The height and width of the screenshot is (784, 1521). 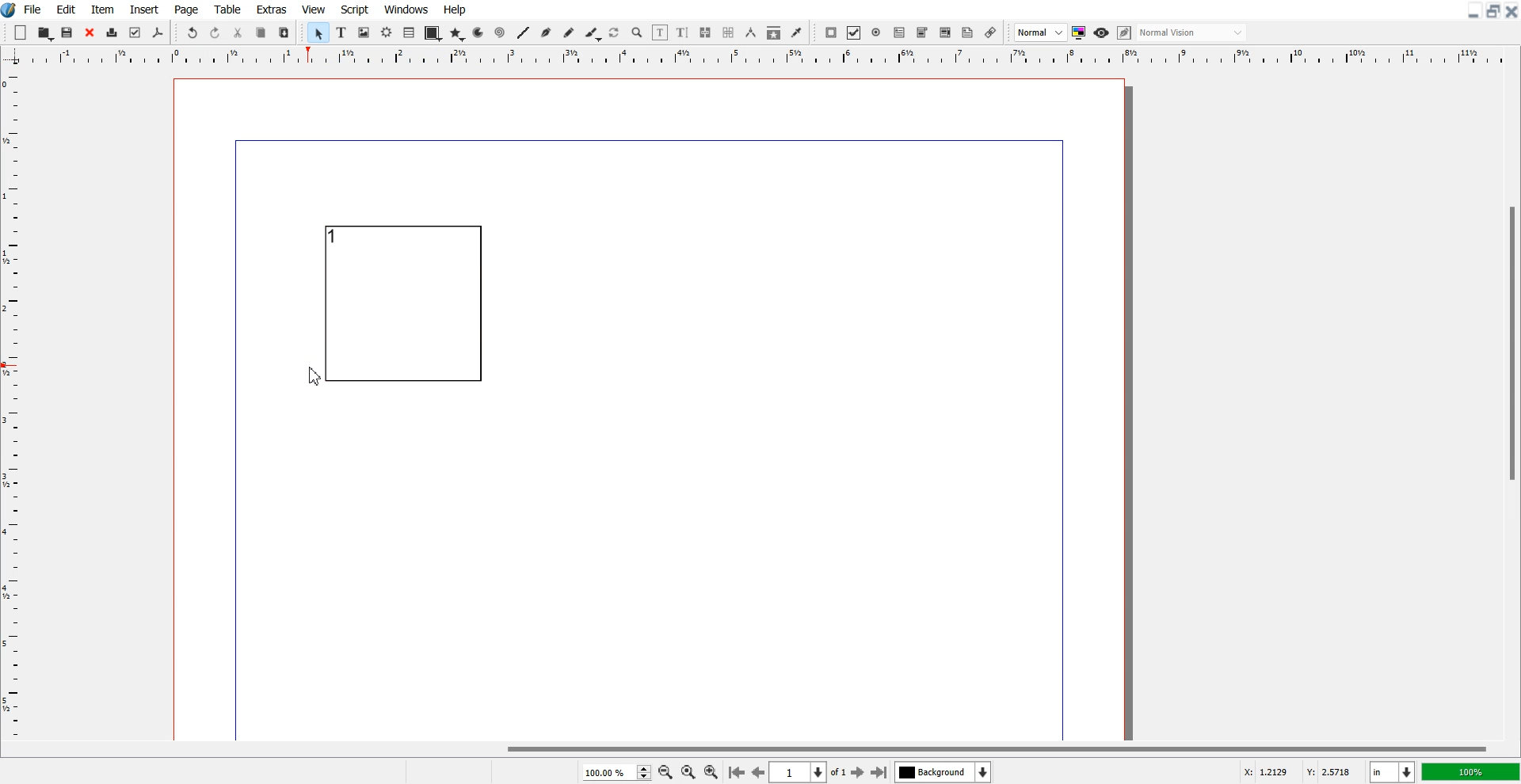 I want to click on Horizontal scroll bar, so click(x=760, y=747).